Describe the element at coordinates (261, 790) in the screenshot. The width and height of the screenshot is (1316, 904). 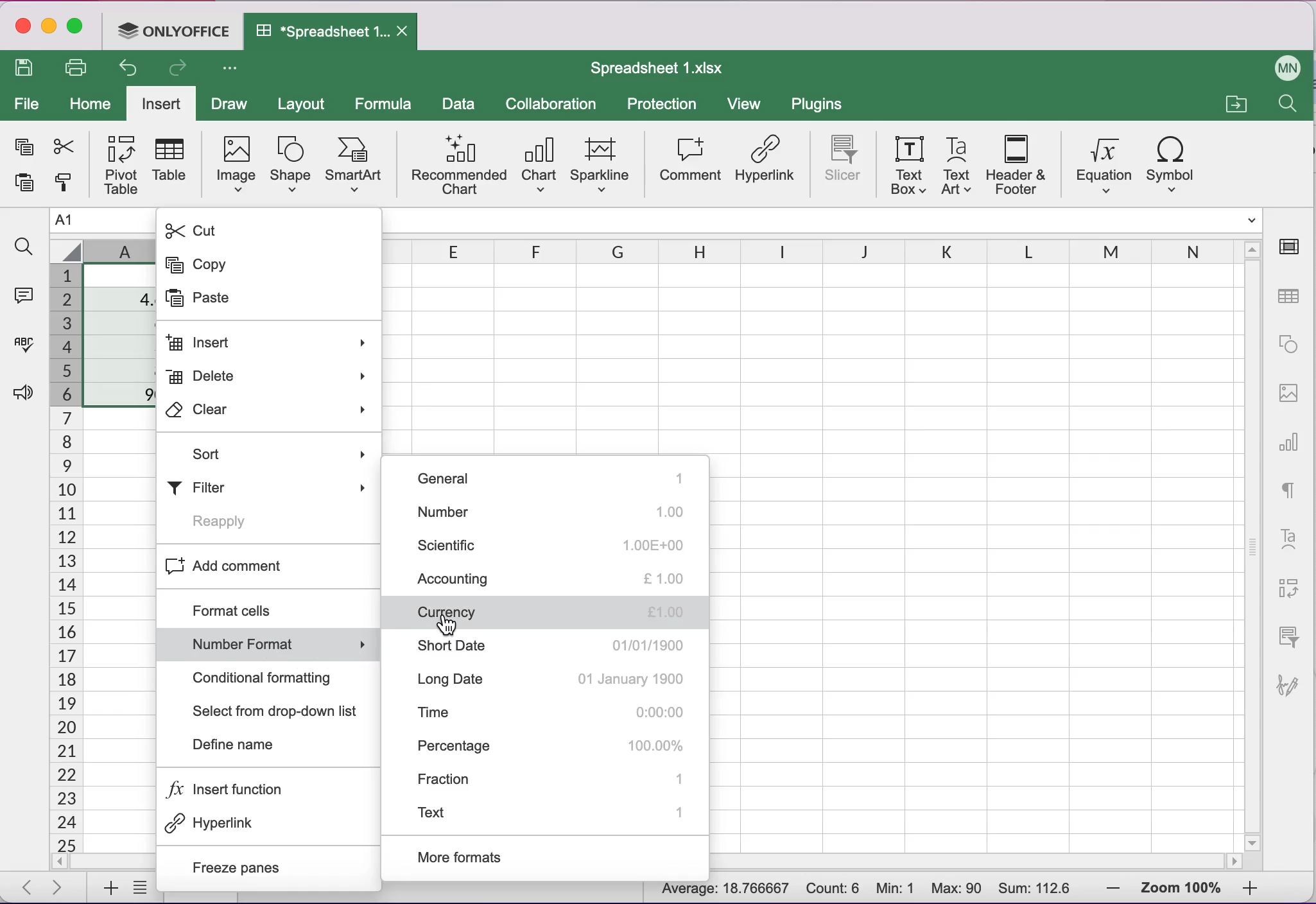
I see `Insert function` at that location.